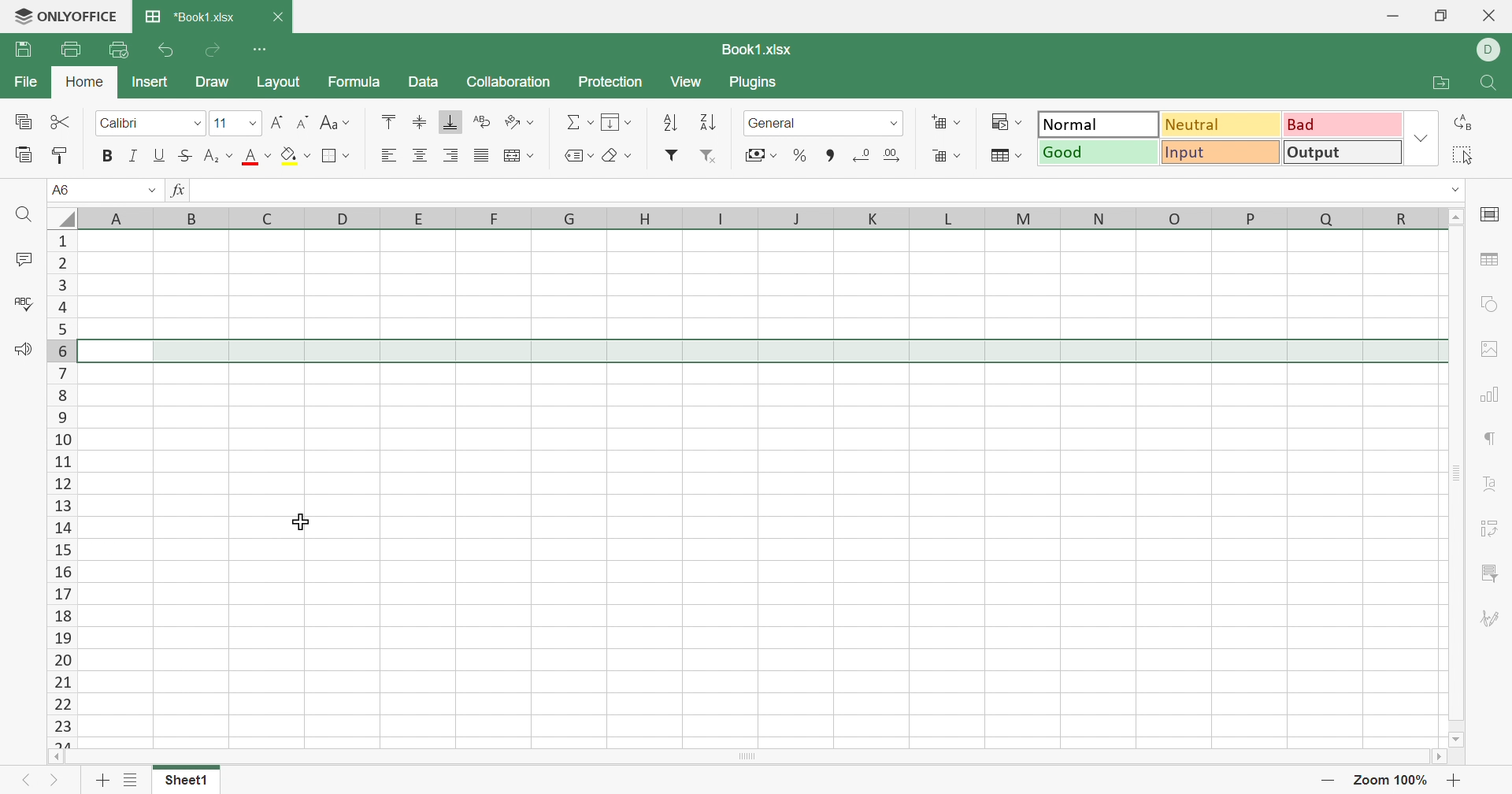 This screenshot has width=1512, height=794. What do you see at coordinates (773, 124) in the screenshot?
I see `General` at bounding box center [773, 124].